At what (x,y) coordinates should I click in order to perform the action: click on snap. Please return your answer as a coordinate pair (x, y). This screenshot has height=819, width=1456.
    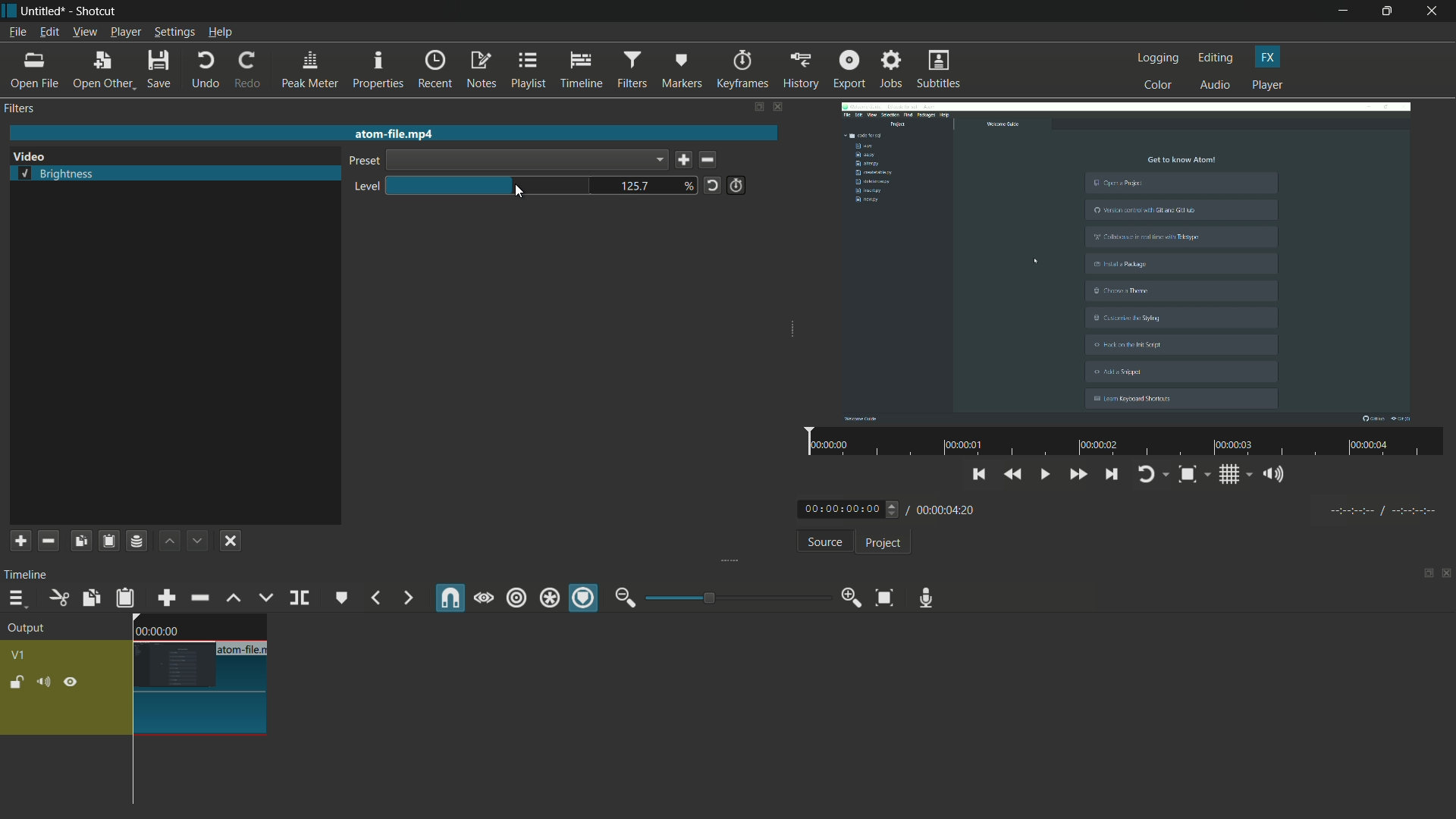
    Looking at the image, I should click on (451, 598).